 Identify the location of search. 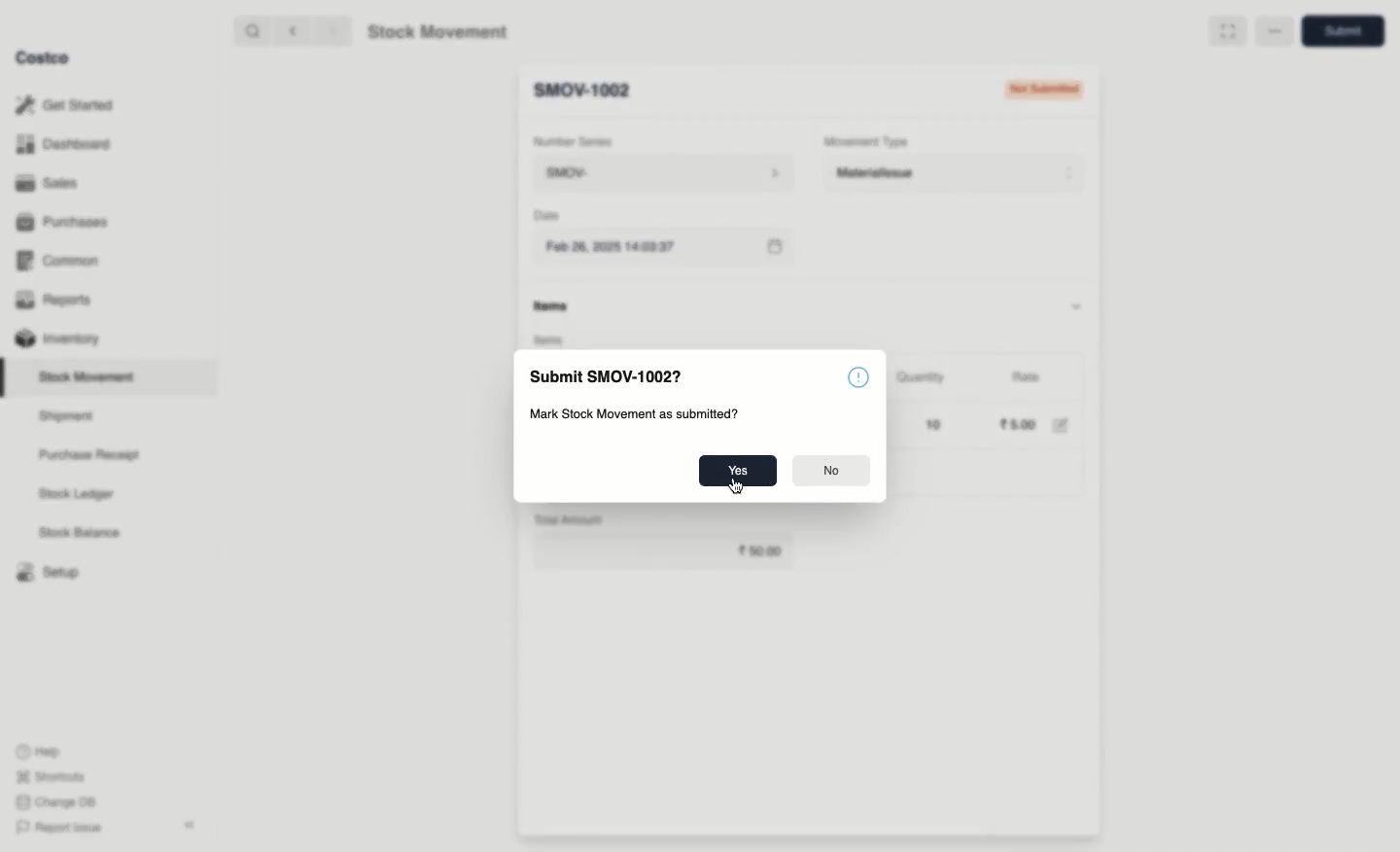
(255, 32).